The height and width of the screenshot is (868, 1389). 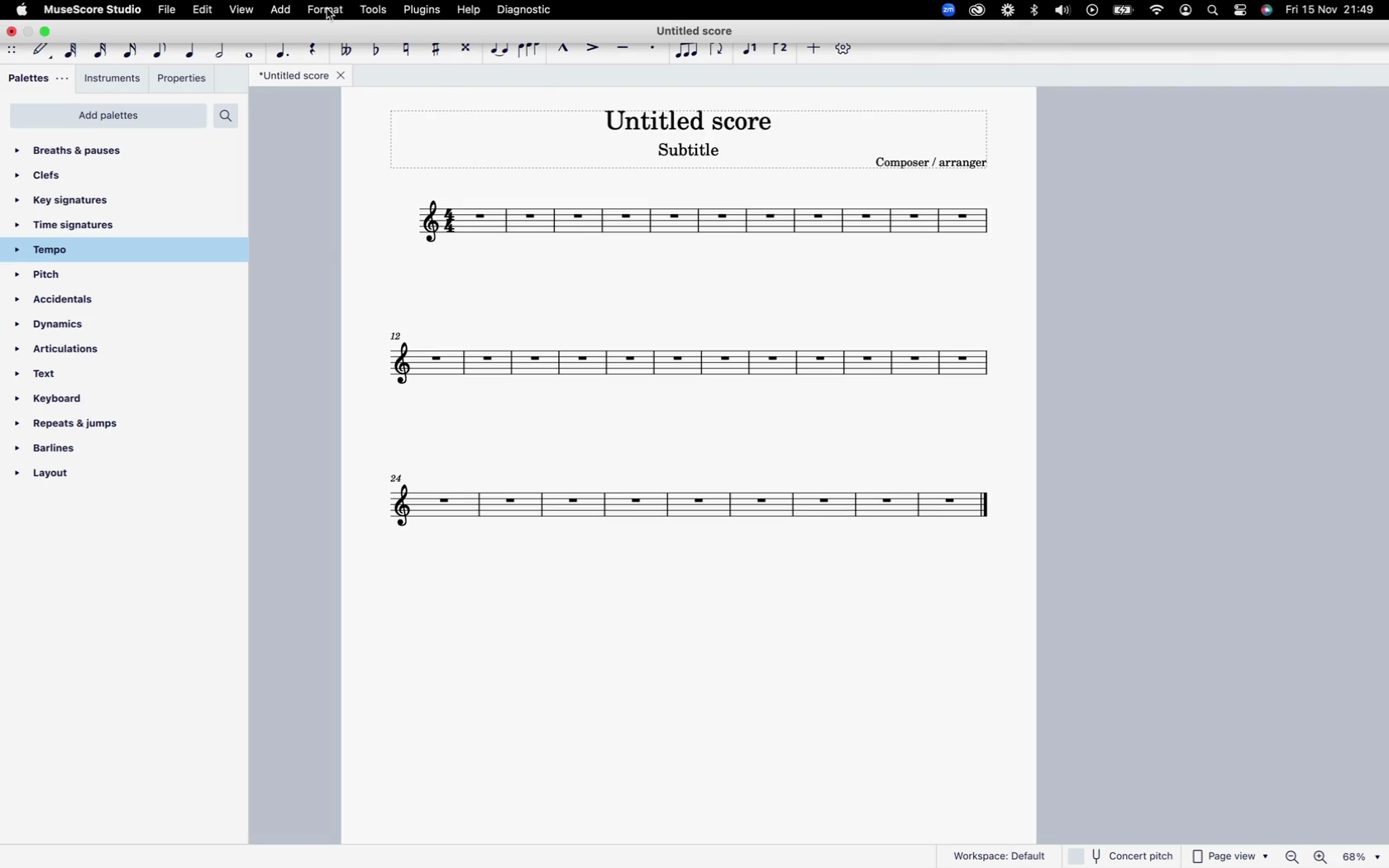 What do you see at coordinates (655, 50) in the screenshot?
I see `staccato` at bounding box center [655, 50].